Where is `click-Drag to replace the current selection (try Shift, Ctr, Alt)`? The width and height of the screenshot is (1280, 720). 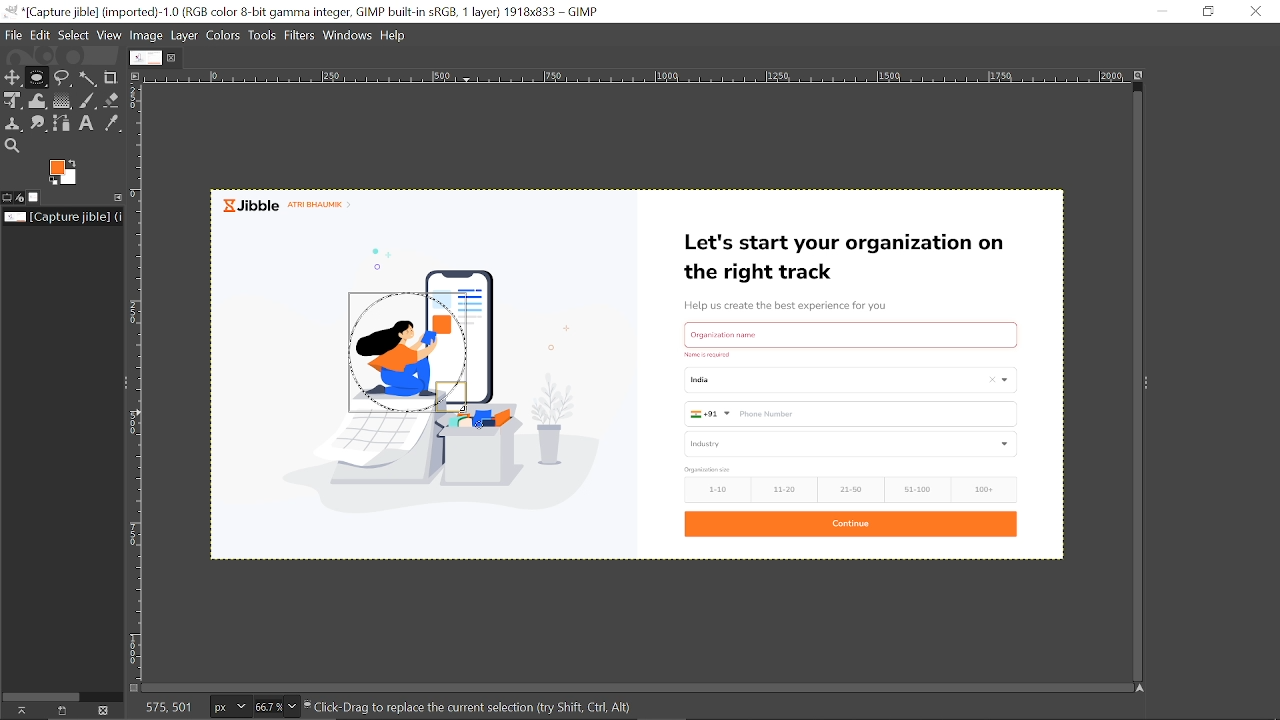 click-Drag to replace the current selection (try Shift, Ctr, Alt) is located at coordinates (471, 706).